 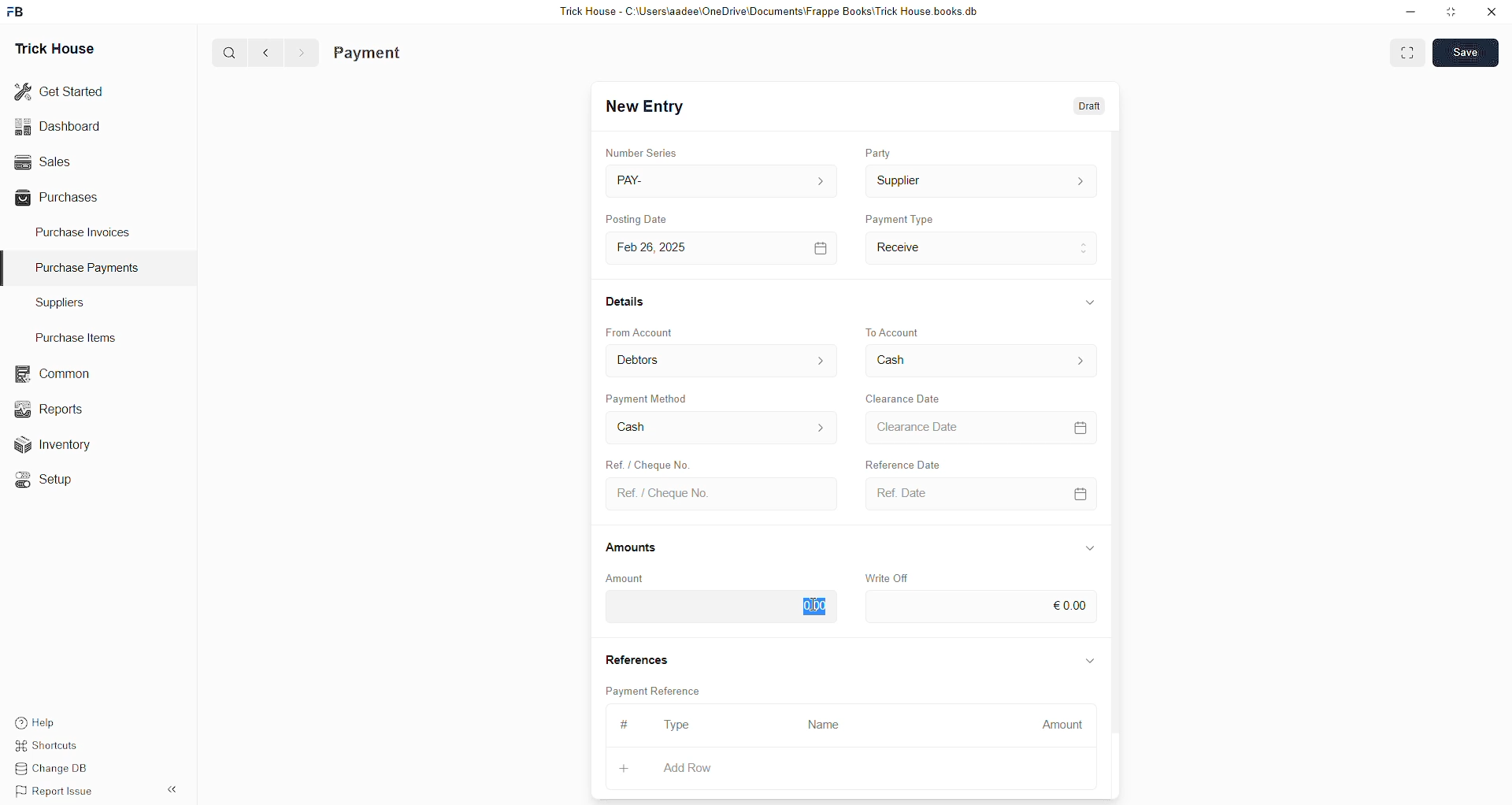 I want to click on Write Off, so click(x=888, y=574).